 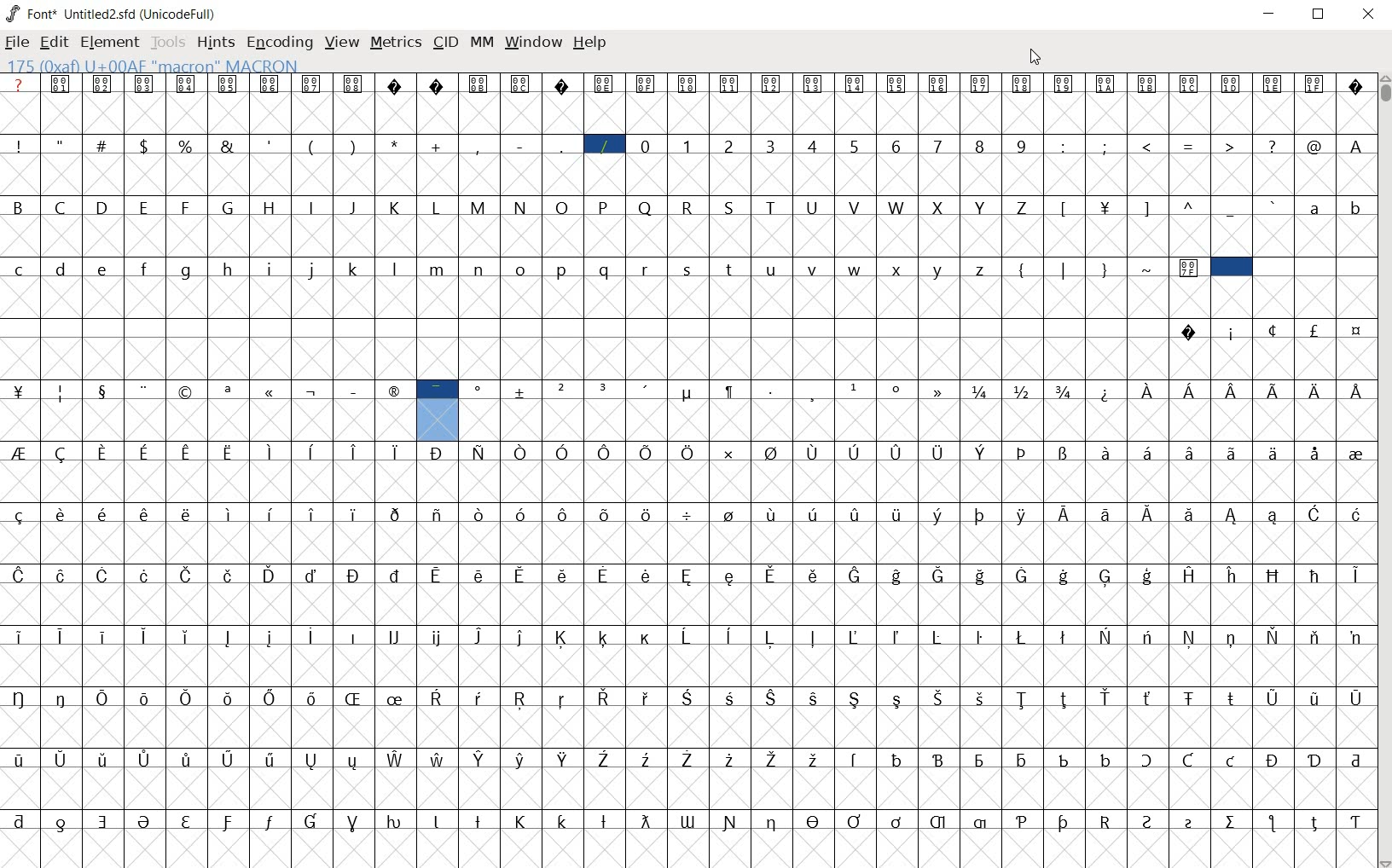 I want to click on HINTS, so click(x=214, y=42).